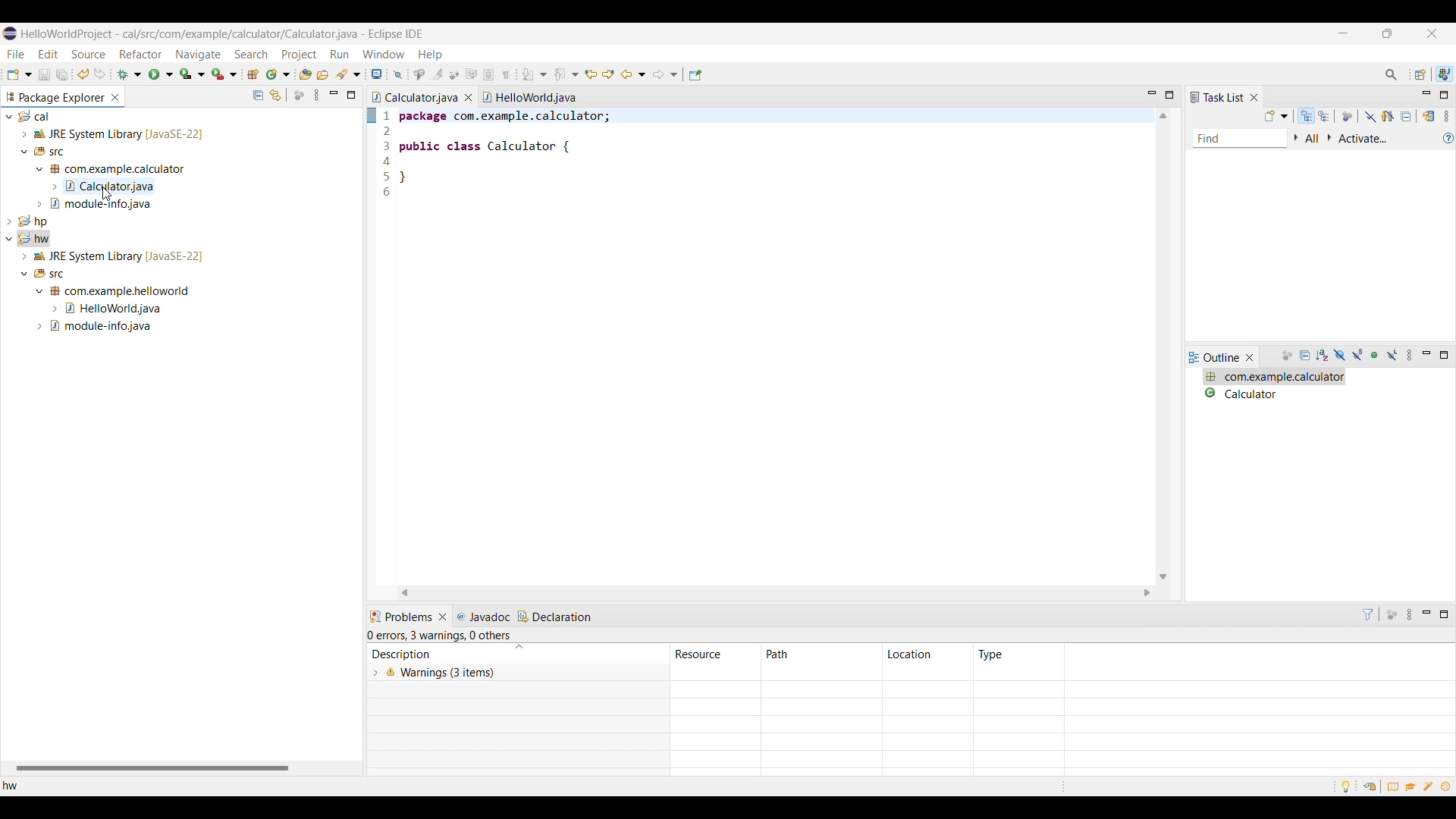  What do you see at coordinates (821, 654) in the screenshot?
I see `Path` at bounding box center [821, 654].